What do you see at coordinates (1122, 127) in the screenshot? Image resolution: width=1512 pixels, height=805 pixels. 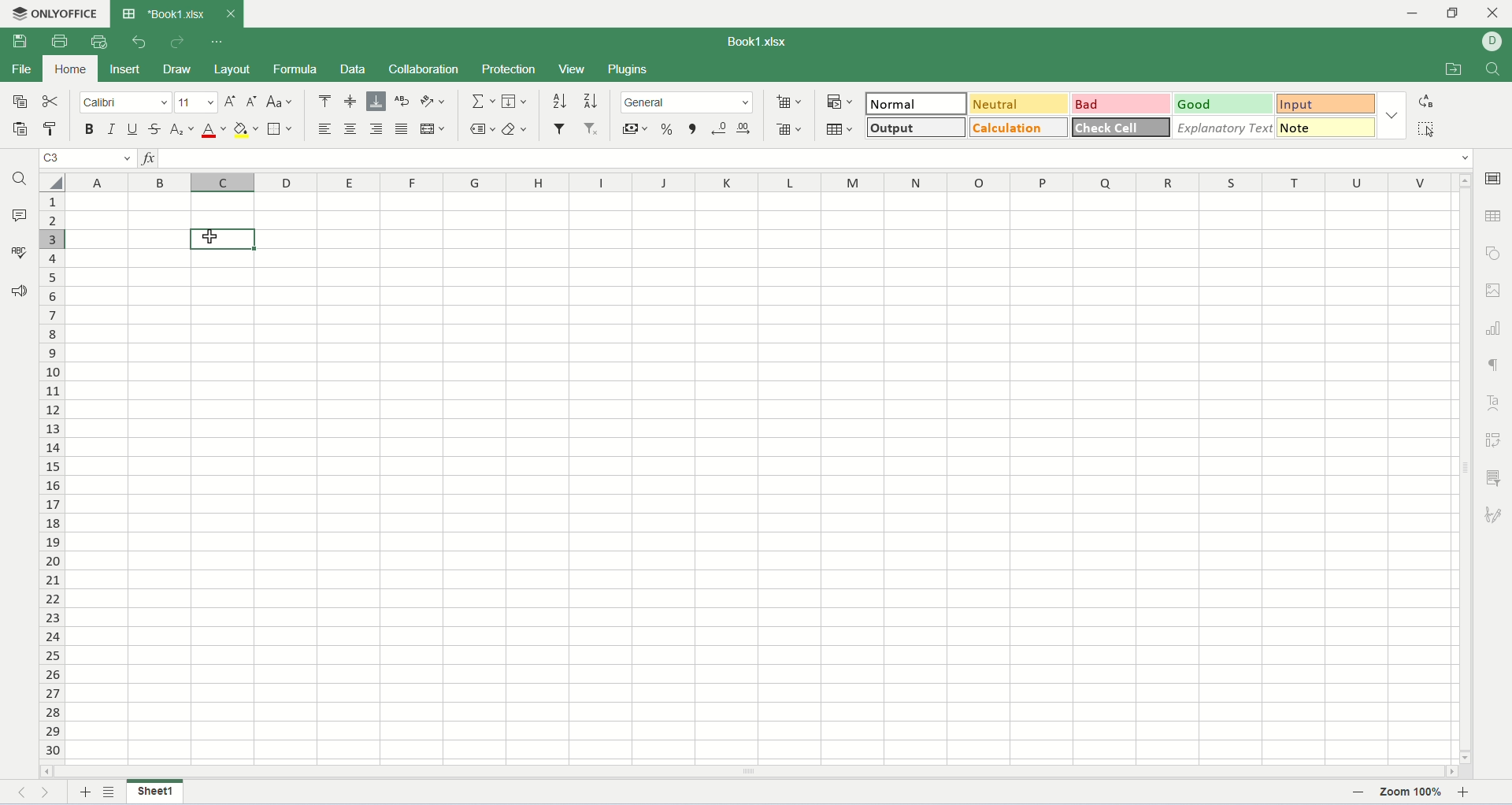 I see `check cell` at bounding box center [1122, 127].